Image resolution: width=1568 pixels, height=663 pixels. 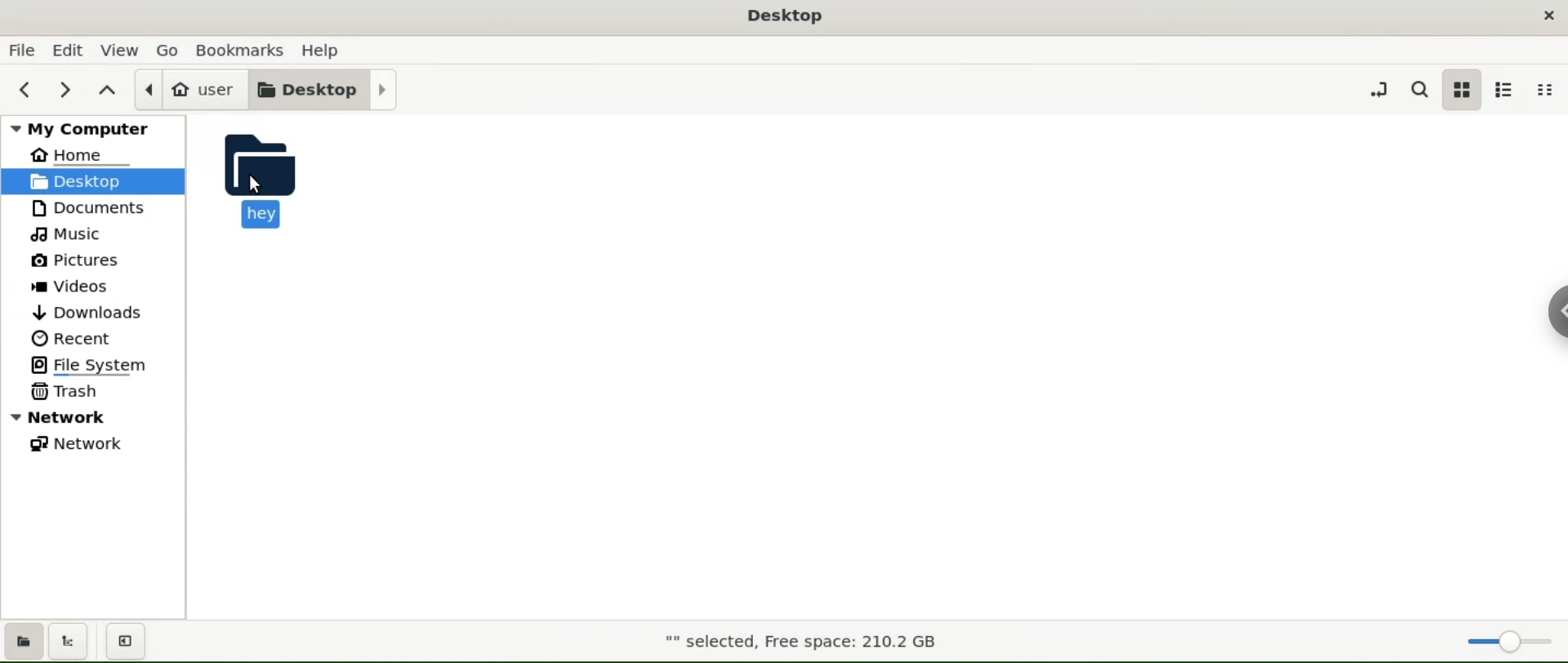 I want to click on icon view, so click(x=1463, y=89).